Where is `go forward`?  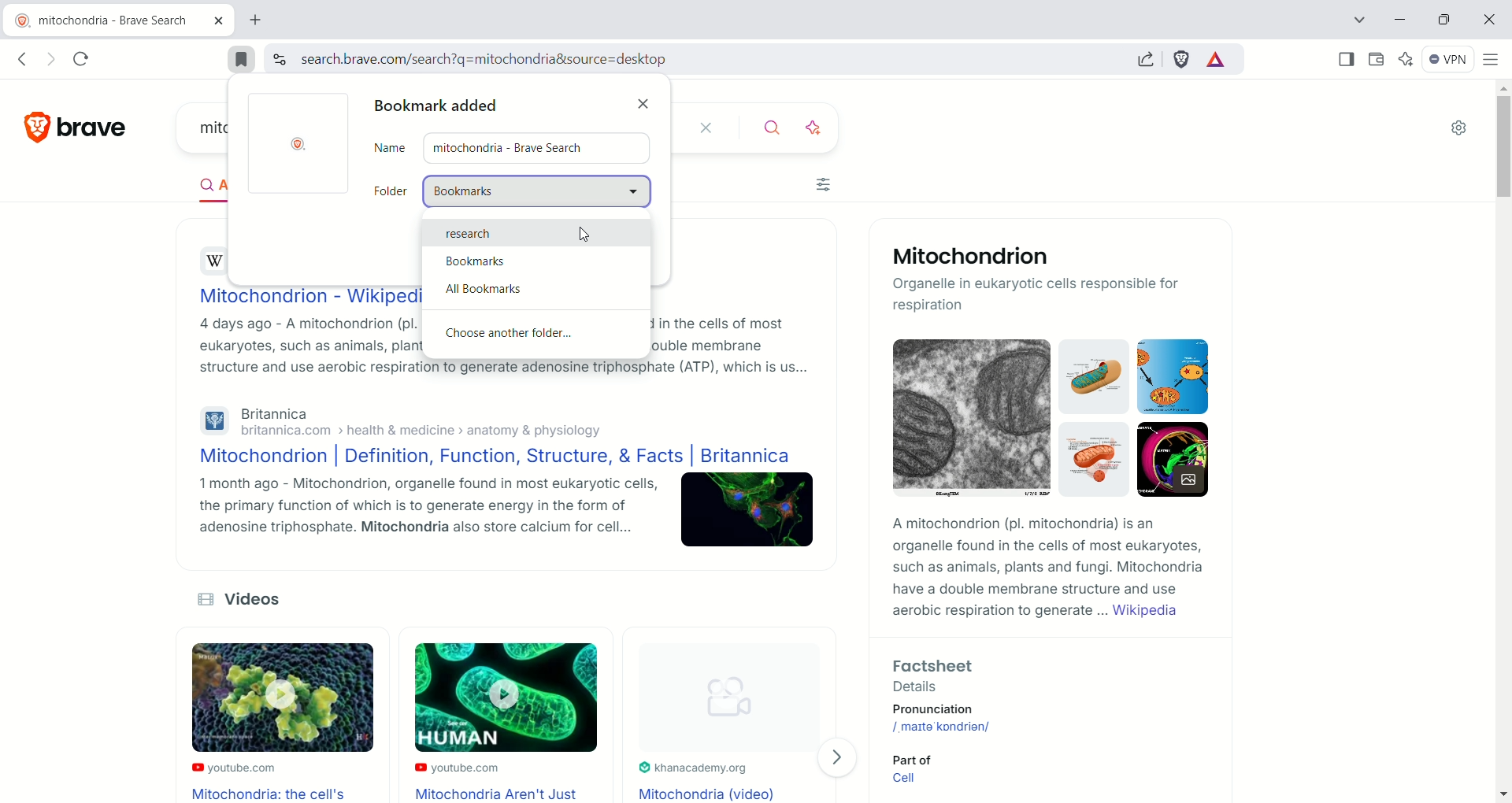
go forward is located at coordinates (51, 58).